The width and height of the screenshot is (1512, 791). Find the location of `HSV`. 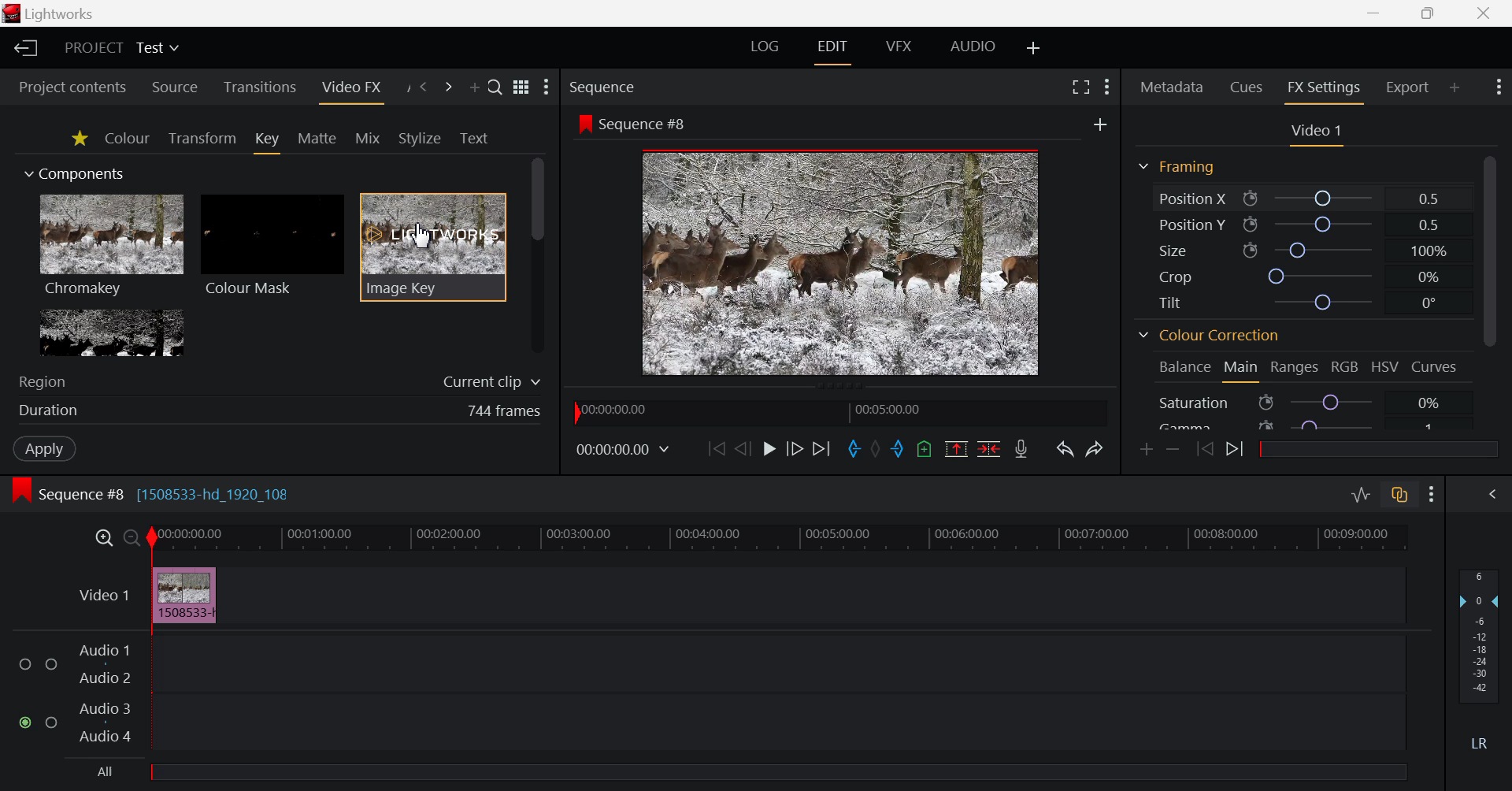

HSV is located at coordinates (1383, 365).